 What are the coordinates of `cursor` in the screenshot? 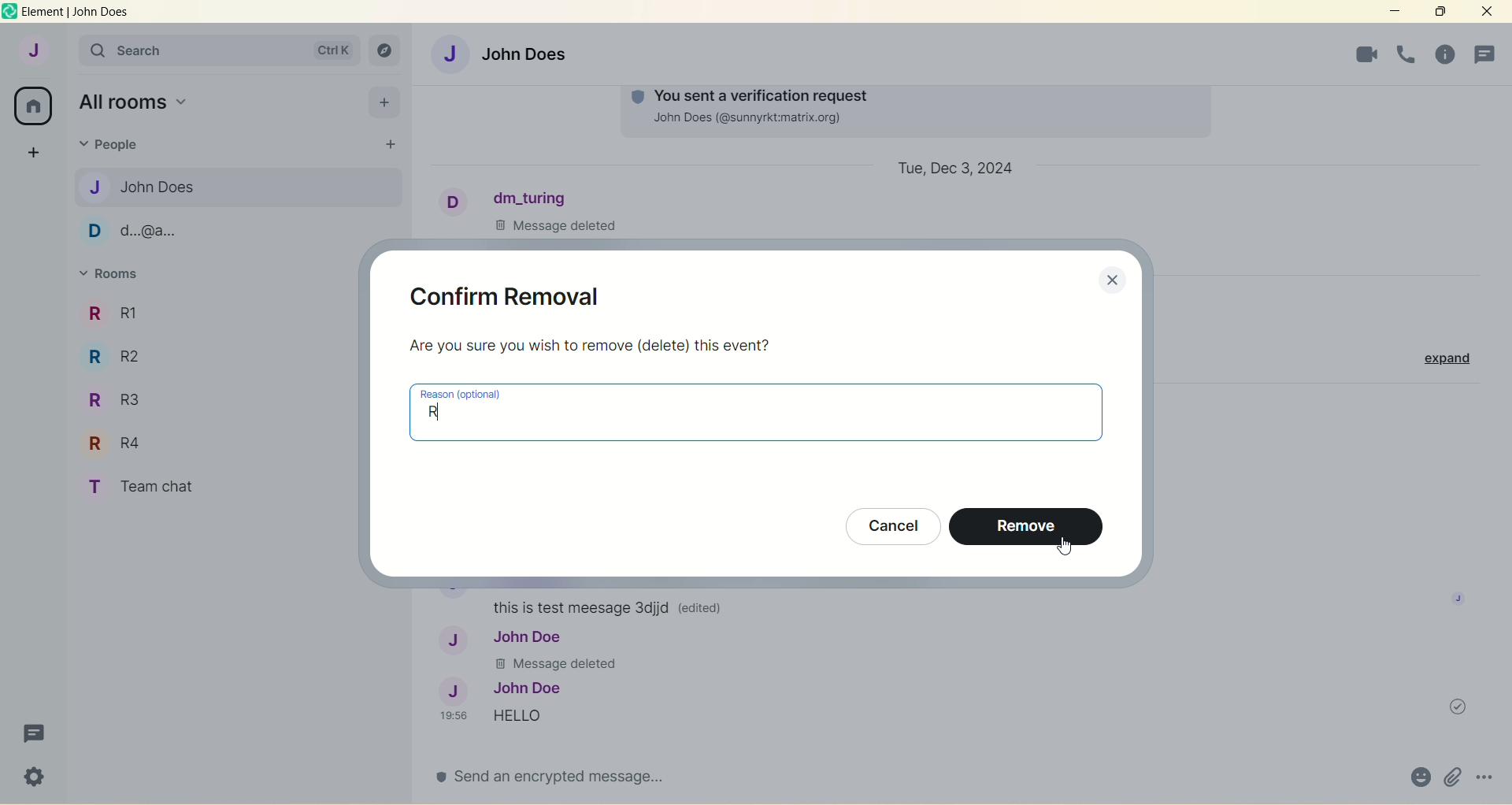 It's located at (1069, 547).